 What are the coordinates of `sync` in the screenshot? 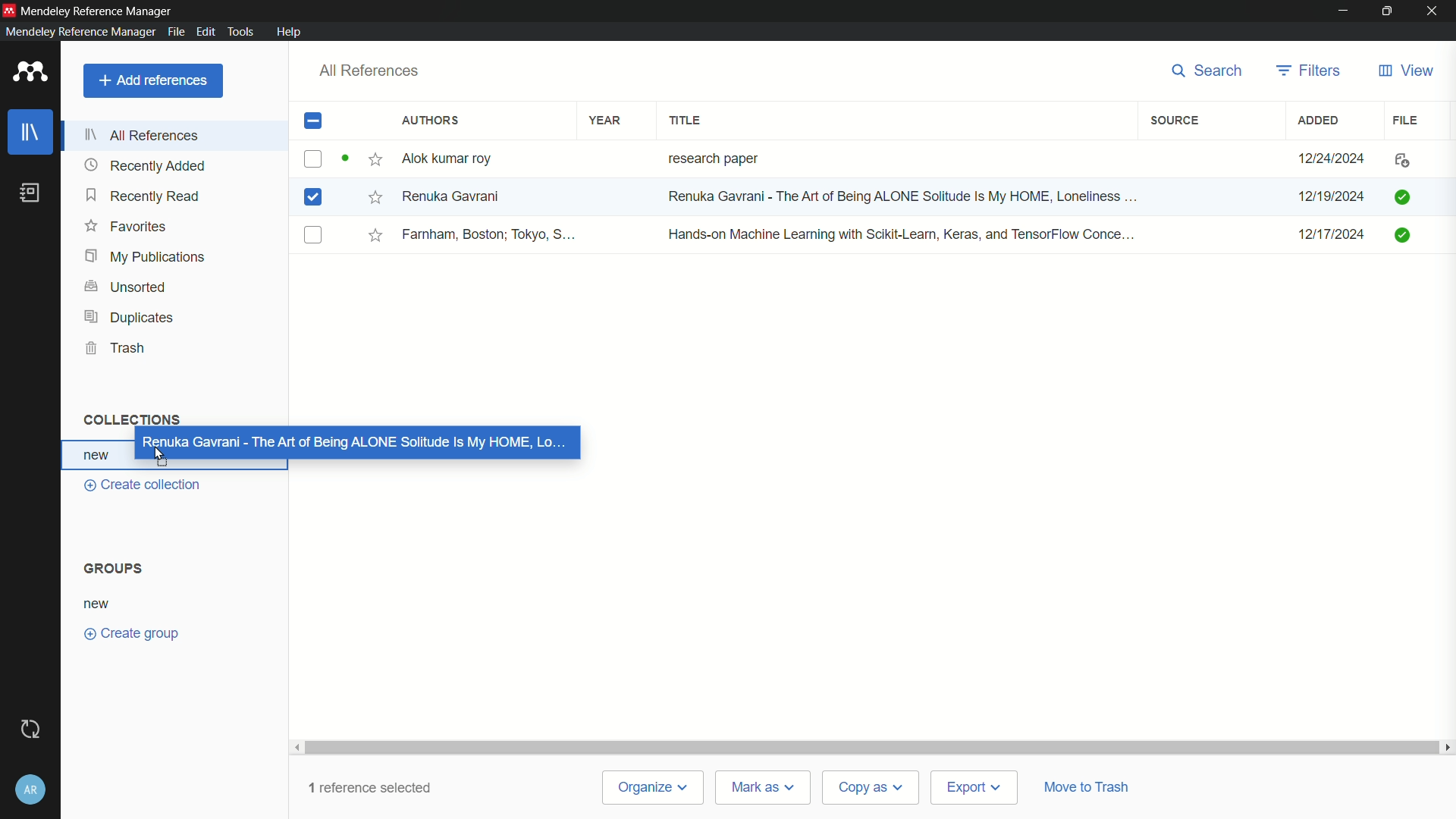 It's located at (31, 729).